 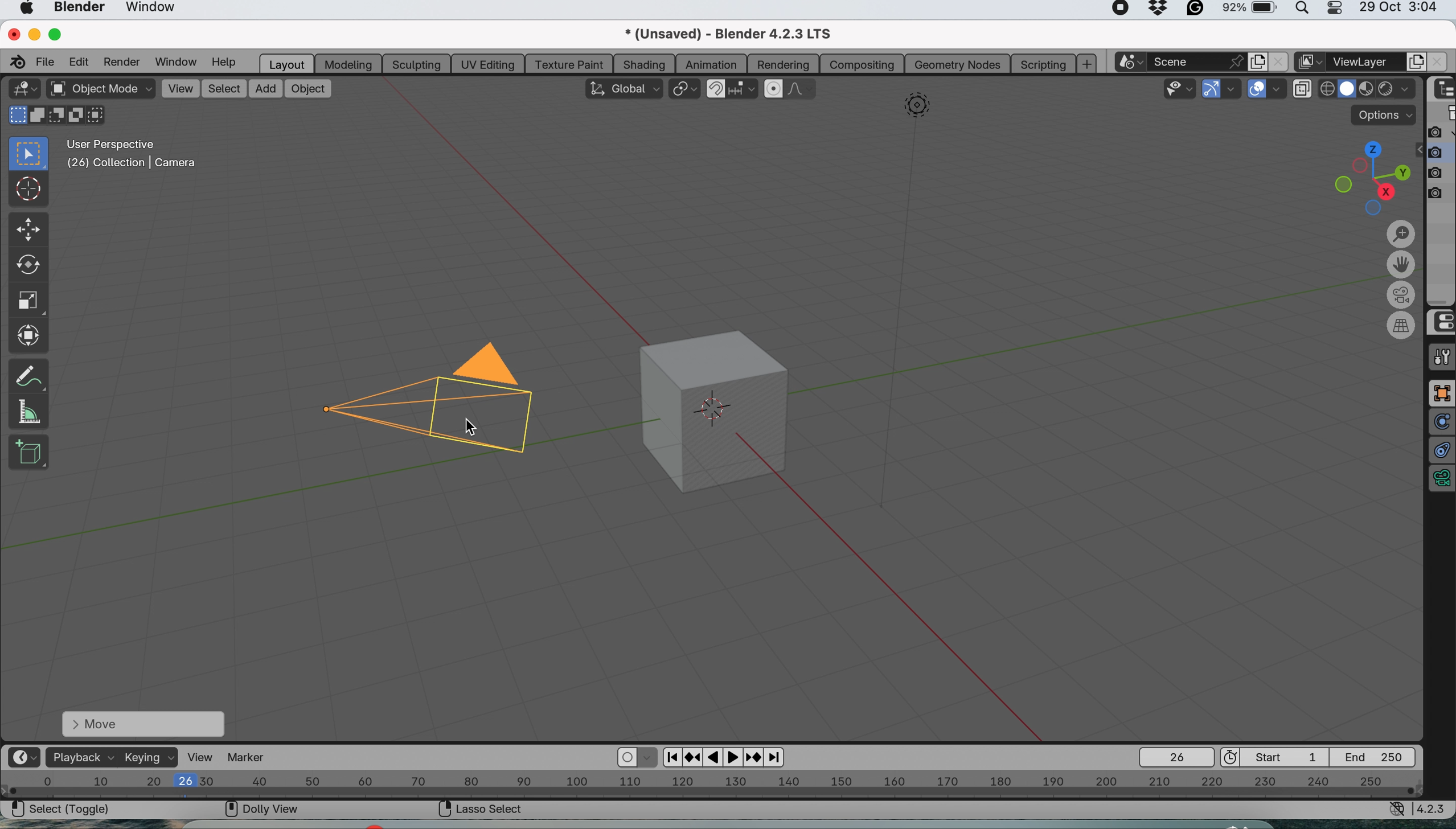 What do you see at coordinates (712, 64) in the screenshot?
I see `animation` at bounding box center [712, 64].